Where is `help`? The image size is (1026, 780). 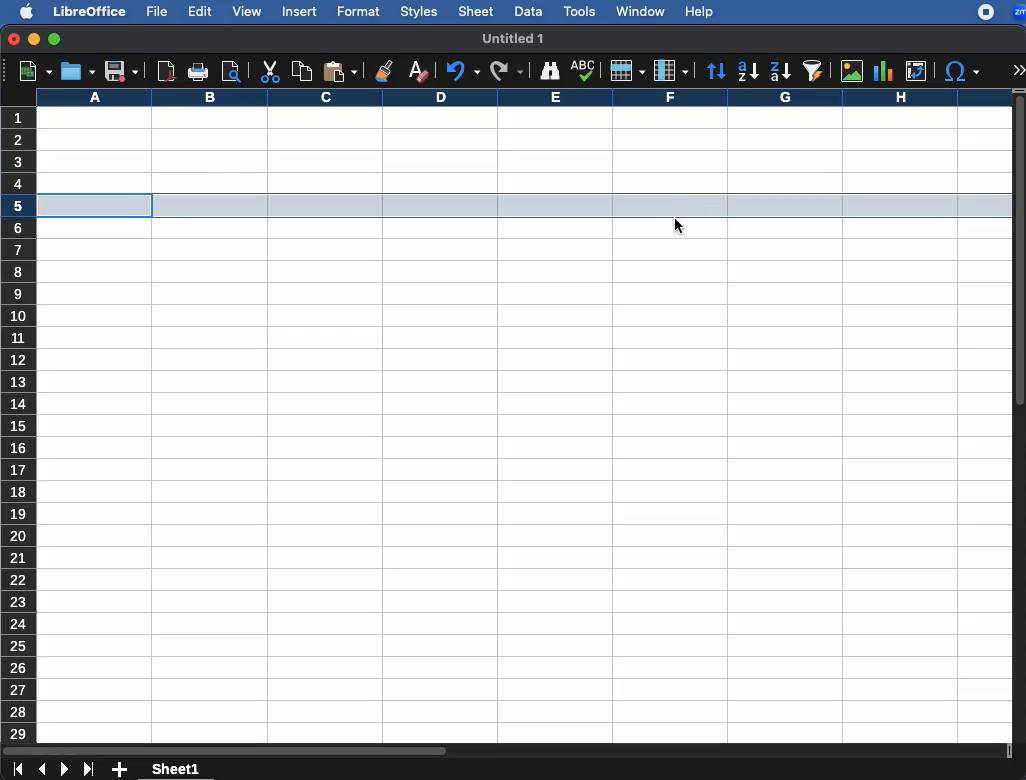 help is located at coordinates (698, 12).